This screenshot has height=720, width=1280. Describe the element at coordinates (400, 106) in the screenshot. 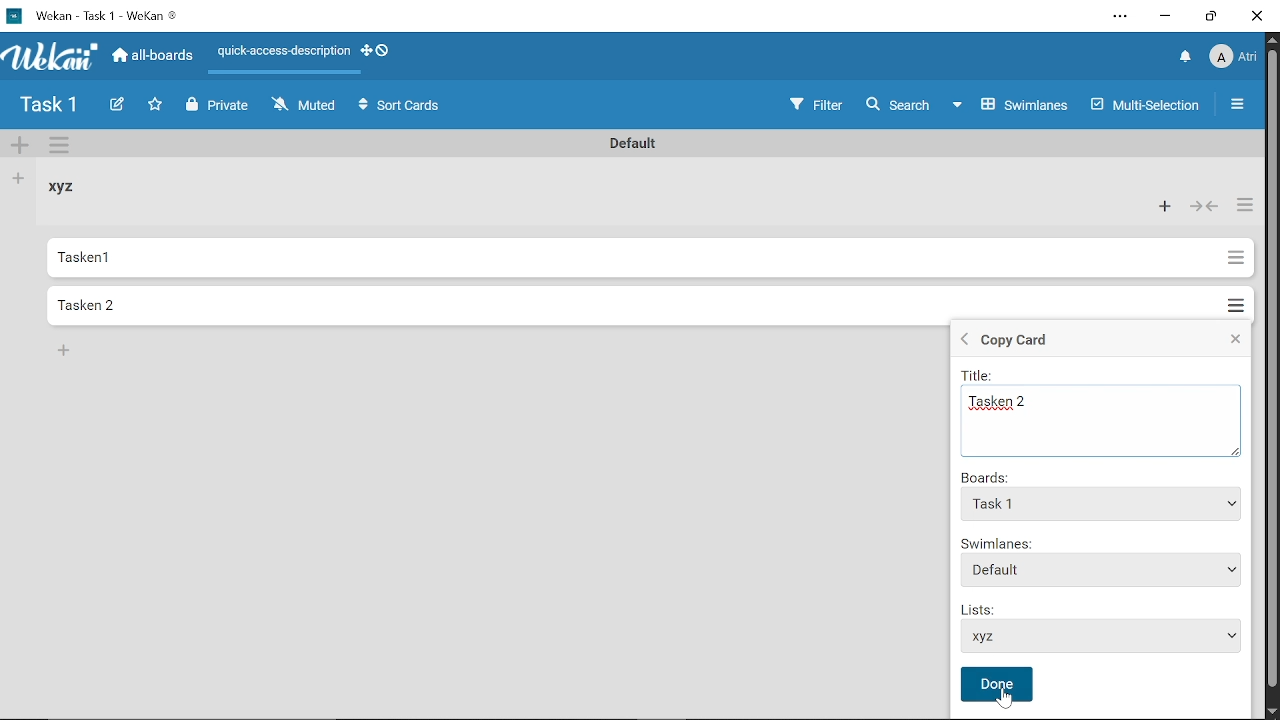

I see `Sort cards` at that location.